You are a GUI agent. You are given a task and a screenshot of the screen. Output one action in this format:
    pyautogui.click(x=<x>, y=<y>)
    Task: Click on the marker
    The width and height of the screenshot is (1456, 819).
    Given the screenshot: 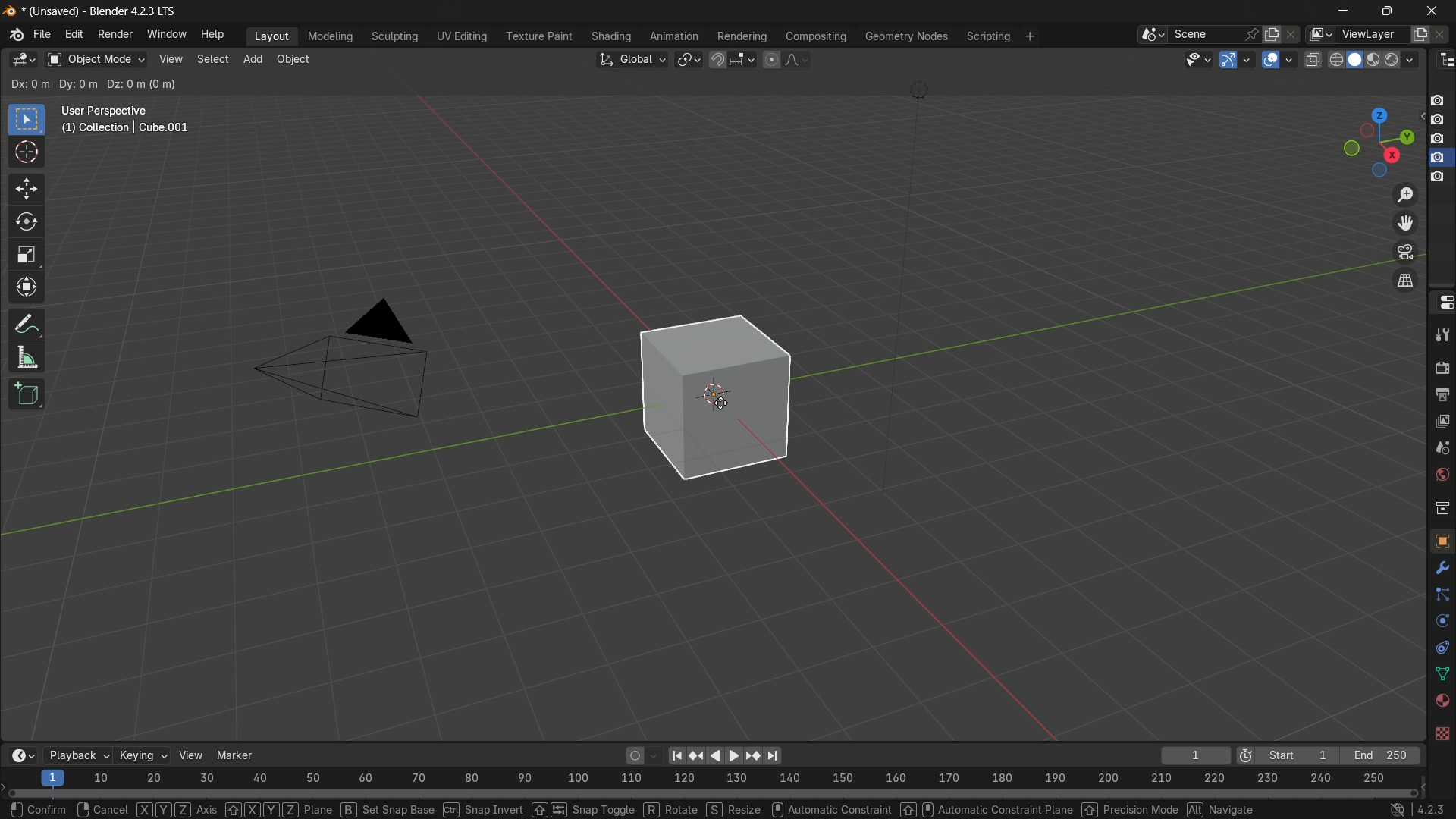 What is the action you would take?
    pyautogui.click(x=243, y=751)
    